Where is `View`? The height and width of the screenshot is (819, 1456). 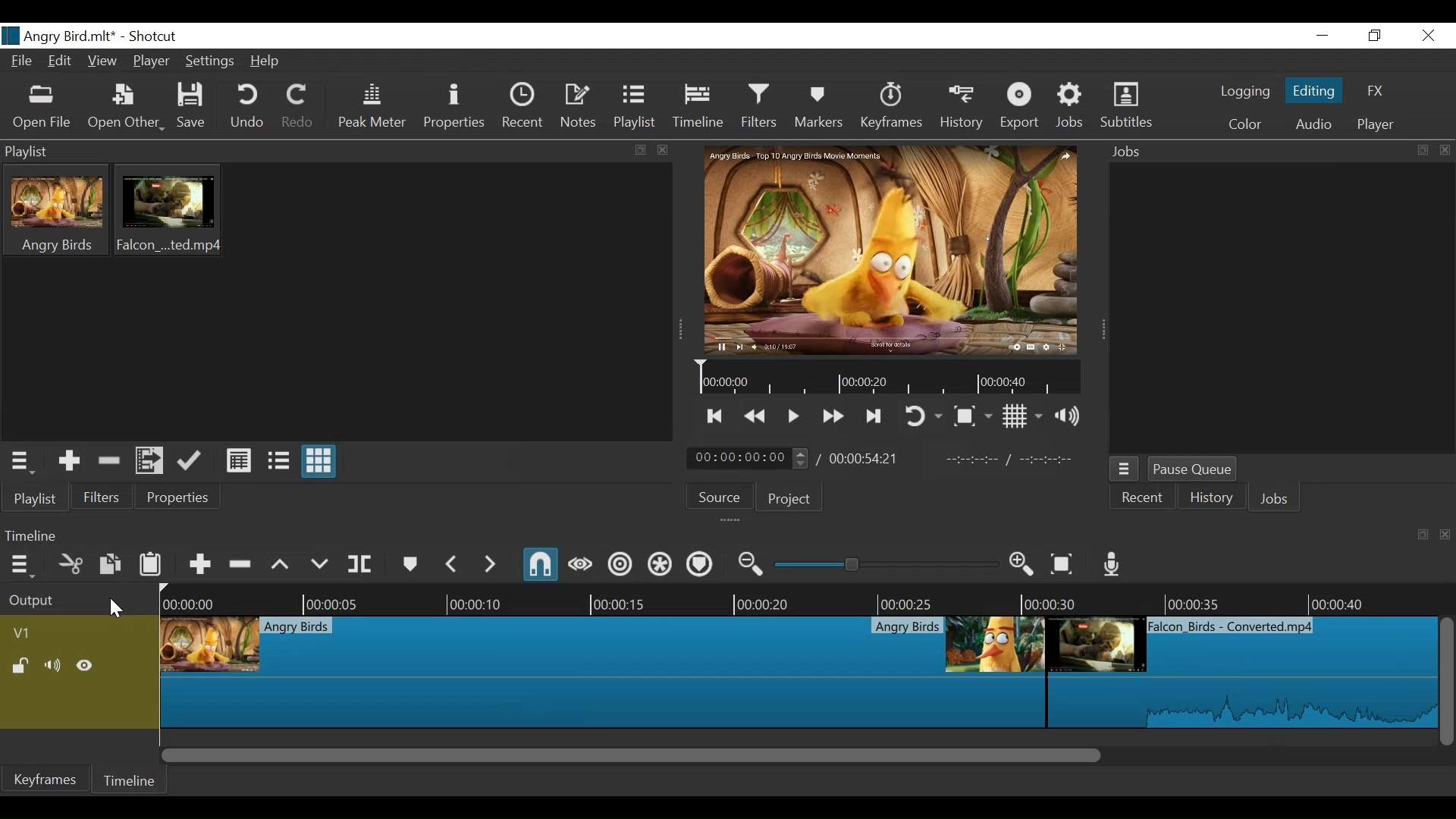 View is located at coordinates (103, 61).